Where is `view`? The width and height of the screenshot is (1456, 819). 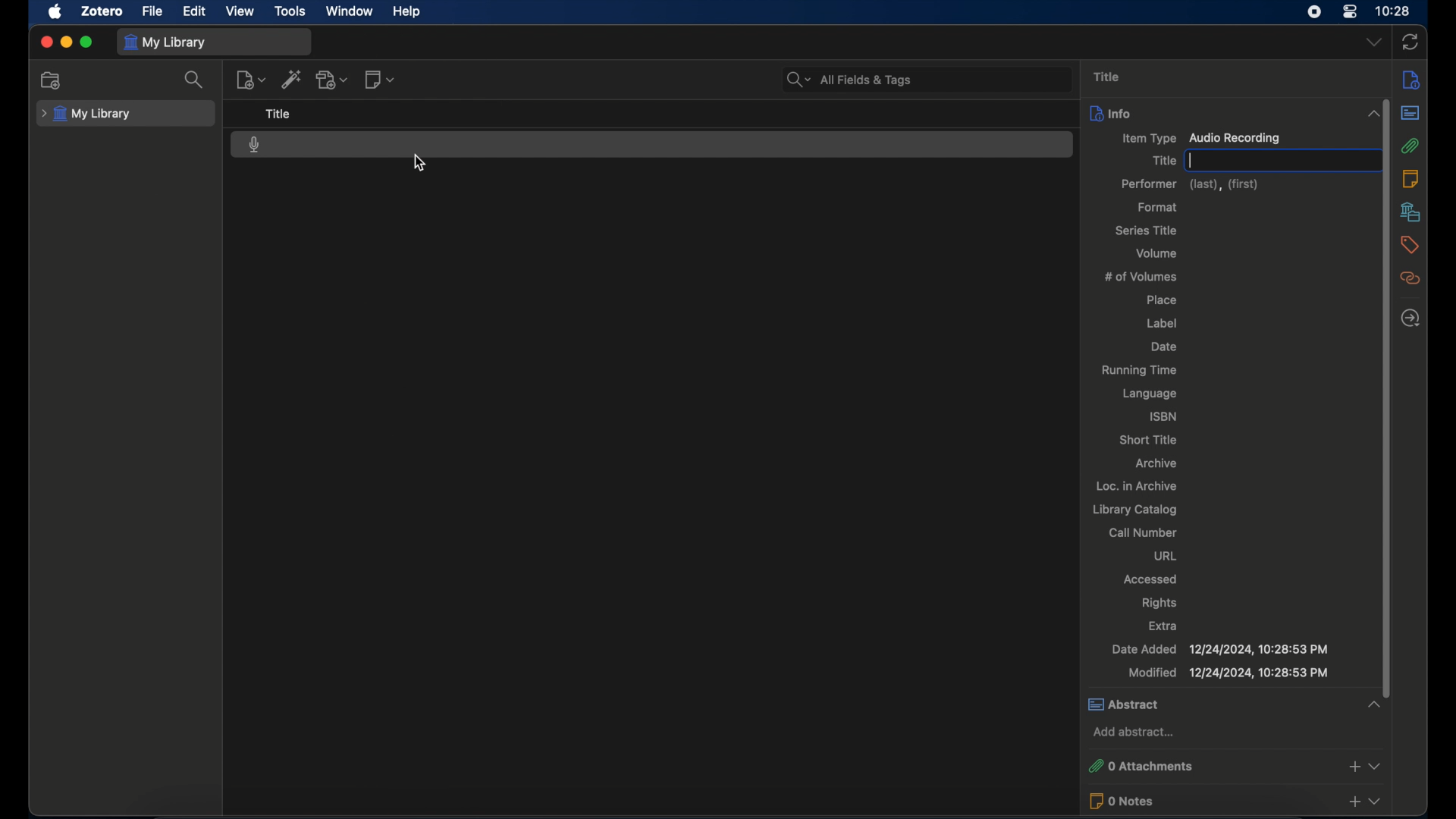
view is located at coordinates (241, 11).